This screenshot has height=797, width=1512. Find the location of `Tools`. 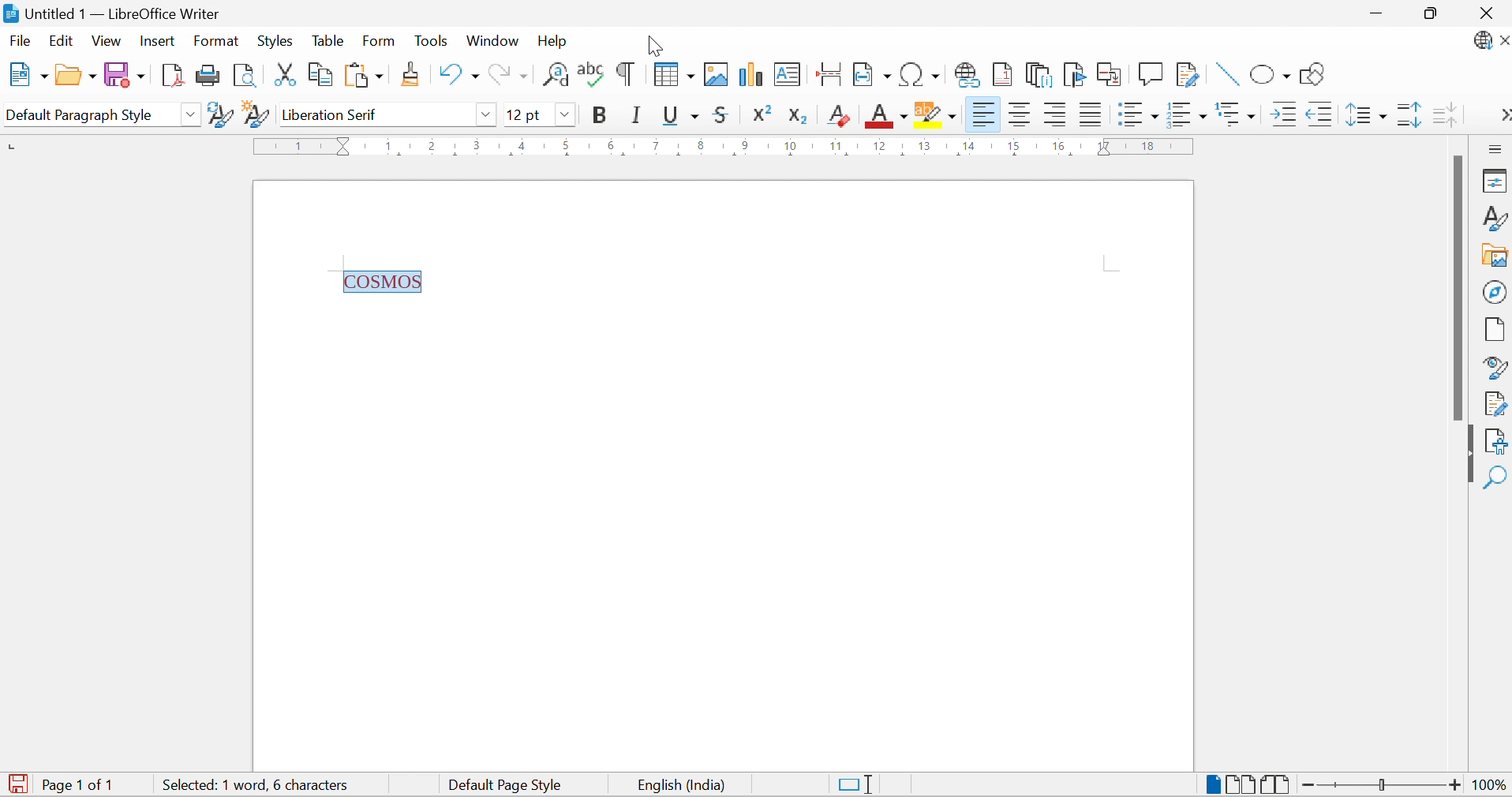

Tools is located at coordinates (429, 39).